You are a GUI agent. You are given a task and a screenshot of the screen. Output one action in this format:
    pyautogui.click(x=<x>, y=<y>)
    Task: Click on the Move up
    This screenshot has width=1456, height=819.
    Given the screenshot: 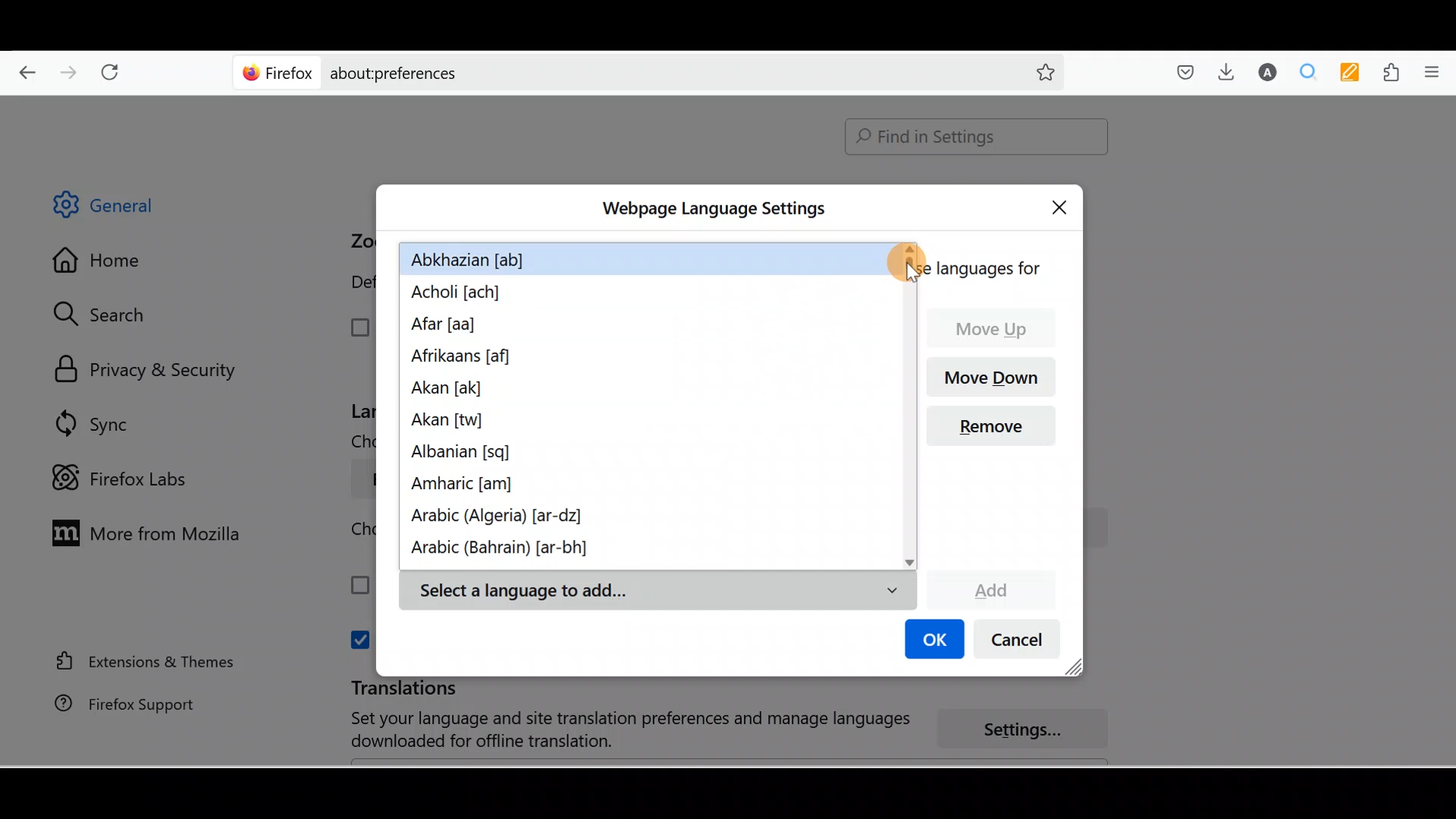 What is the action you would take?
    pyautogui.click(x=999, y=328)
    